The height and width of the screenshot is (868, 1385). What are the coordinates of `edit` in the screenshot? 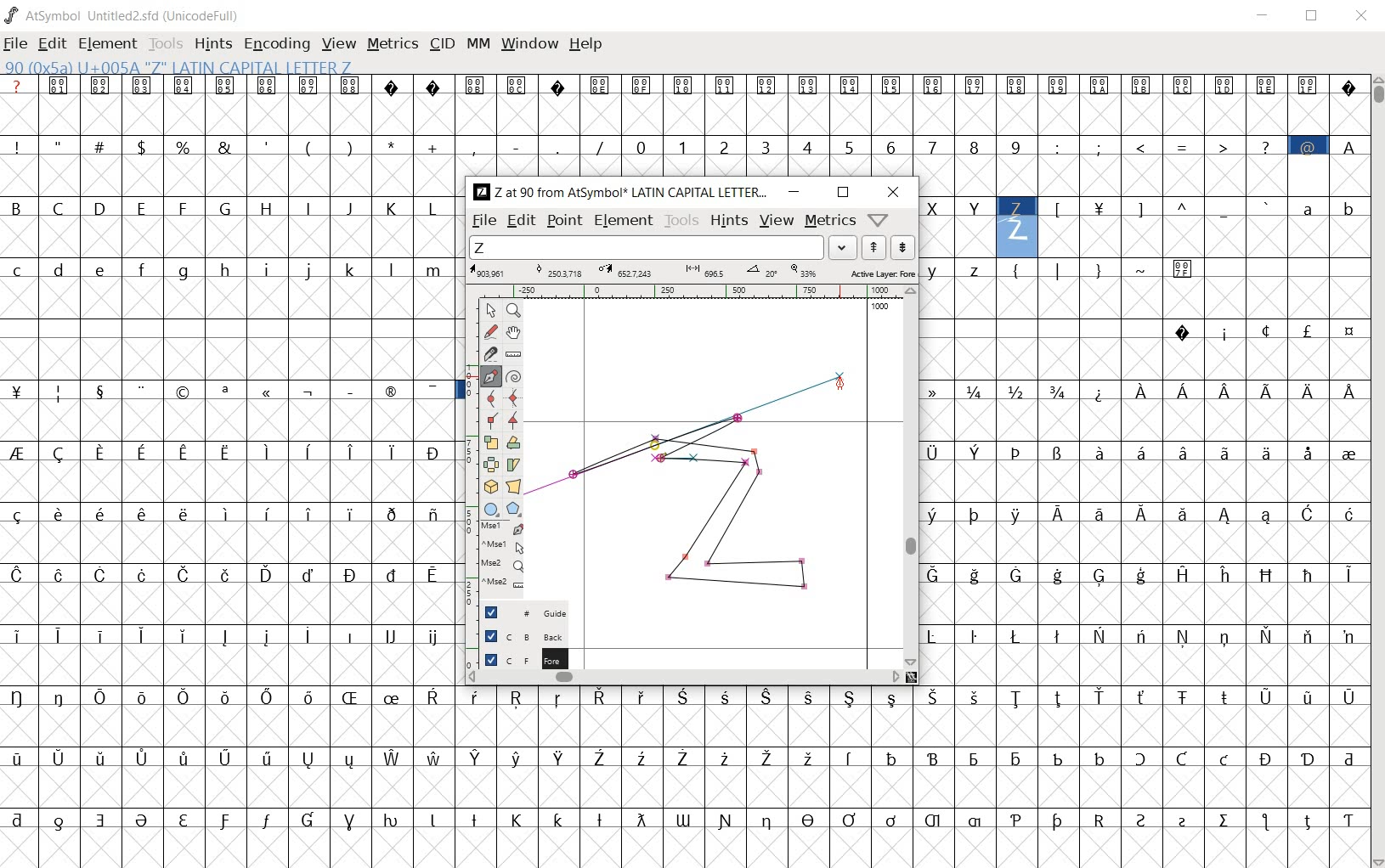 It's located at (520, 222).